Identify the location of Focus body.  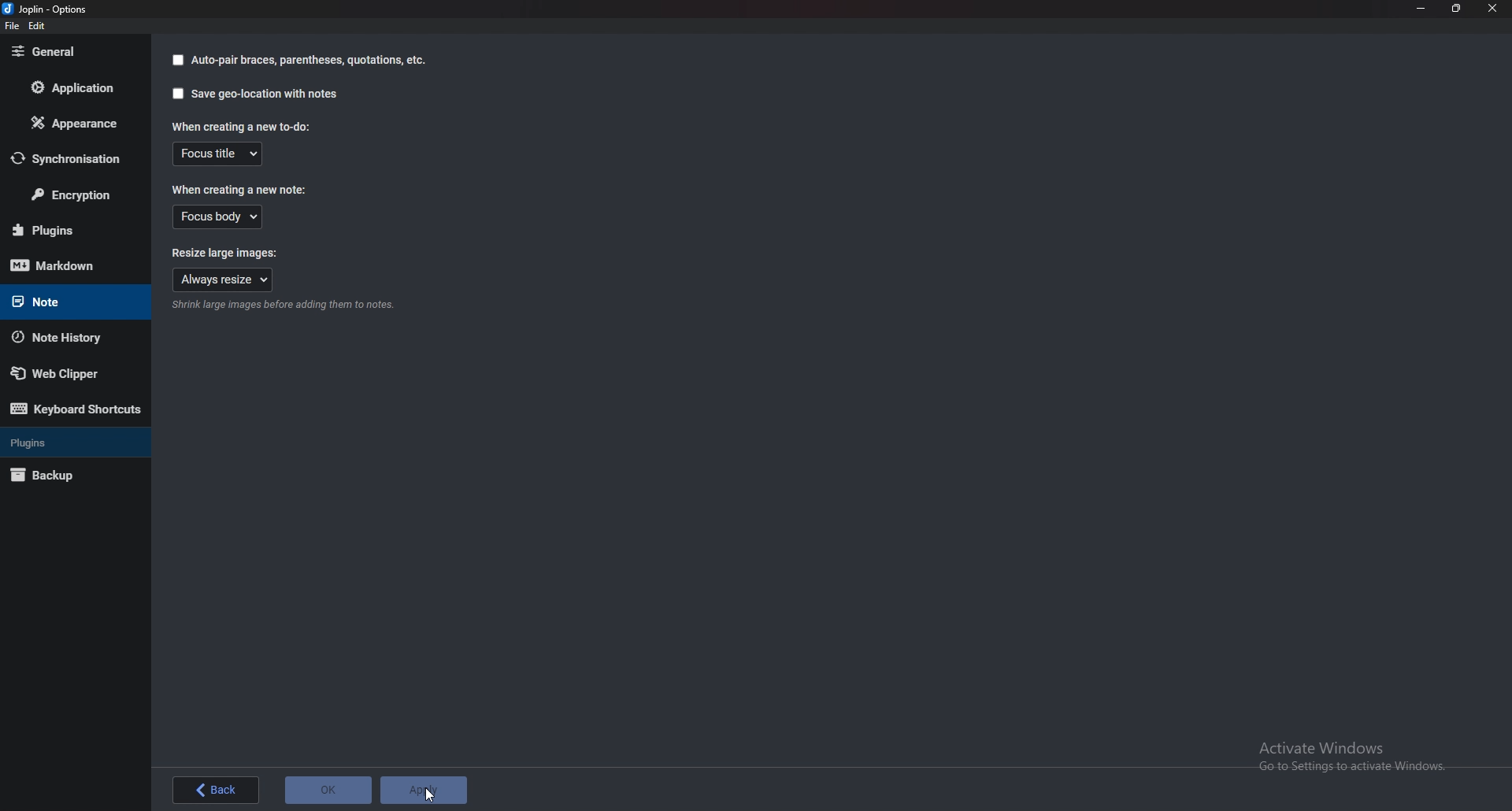
(219, 217).